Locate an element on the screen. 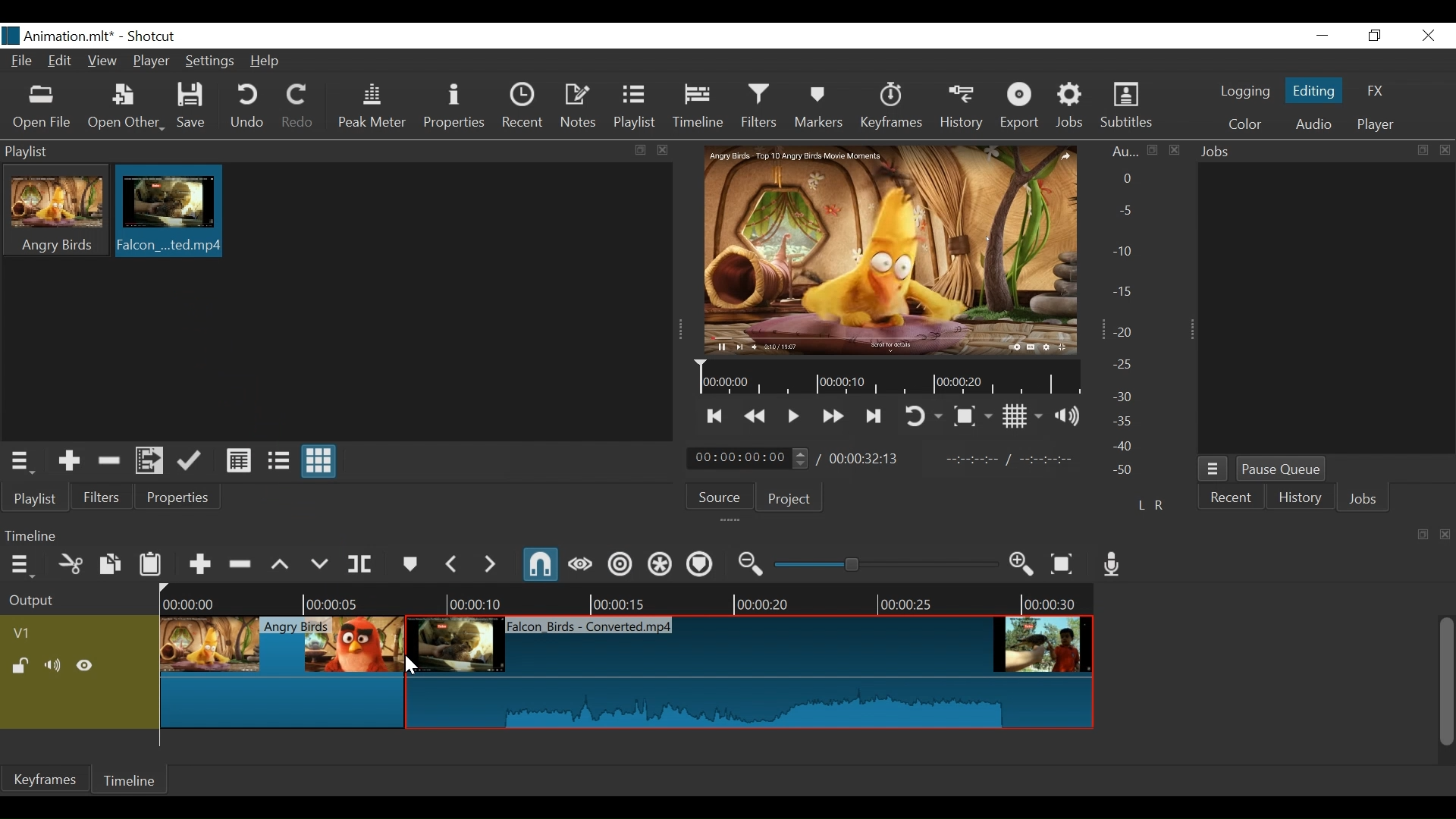 The width and height of the screenshot is (1456, 819). Copy is located at coordinates (110, 563).